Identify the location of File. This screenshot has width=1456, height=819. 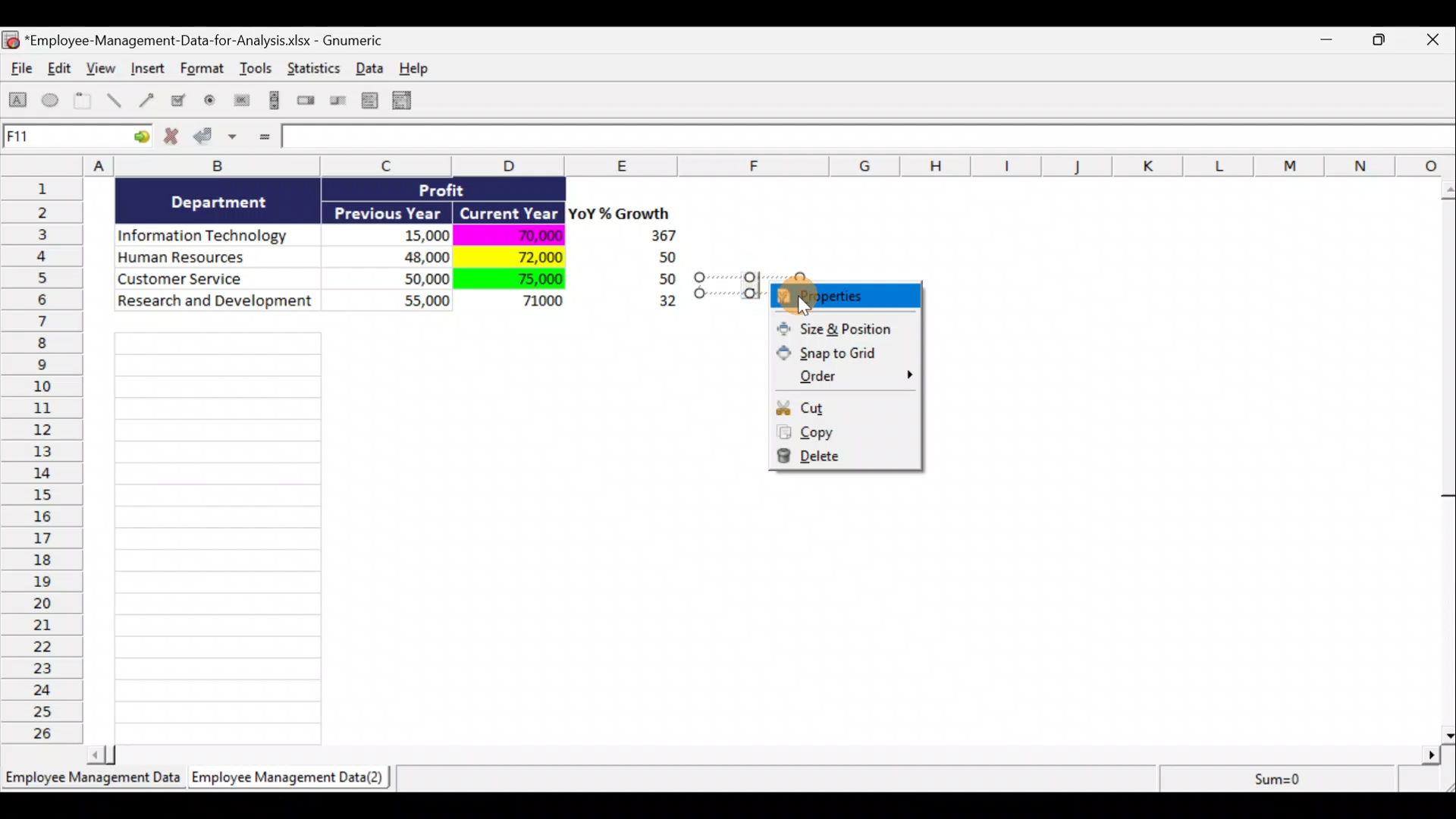
(18, 71).